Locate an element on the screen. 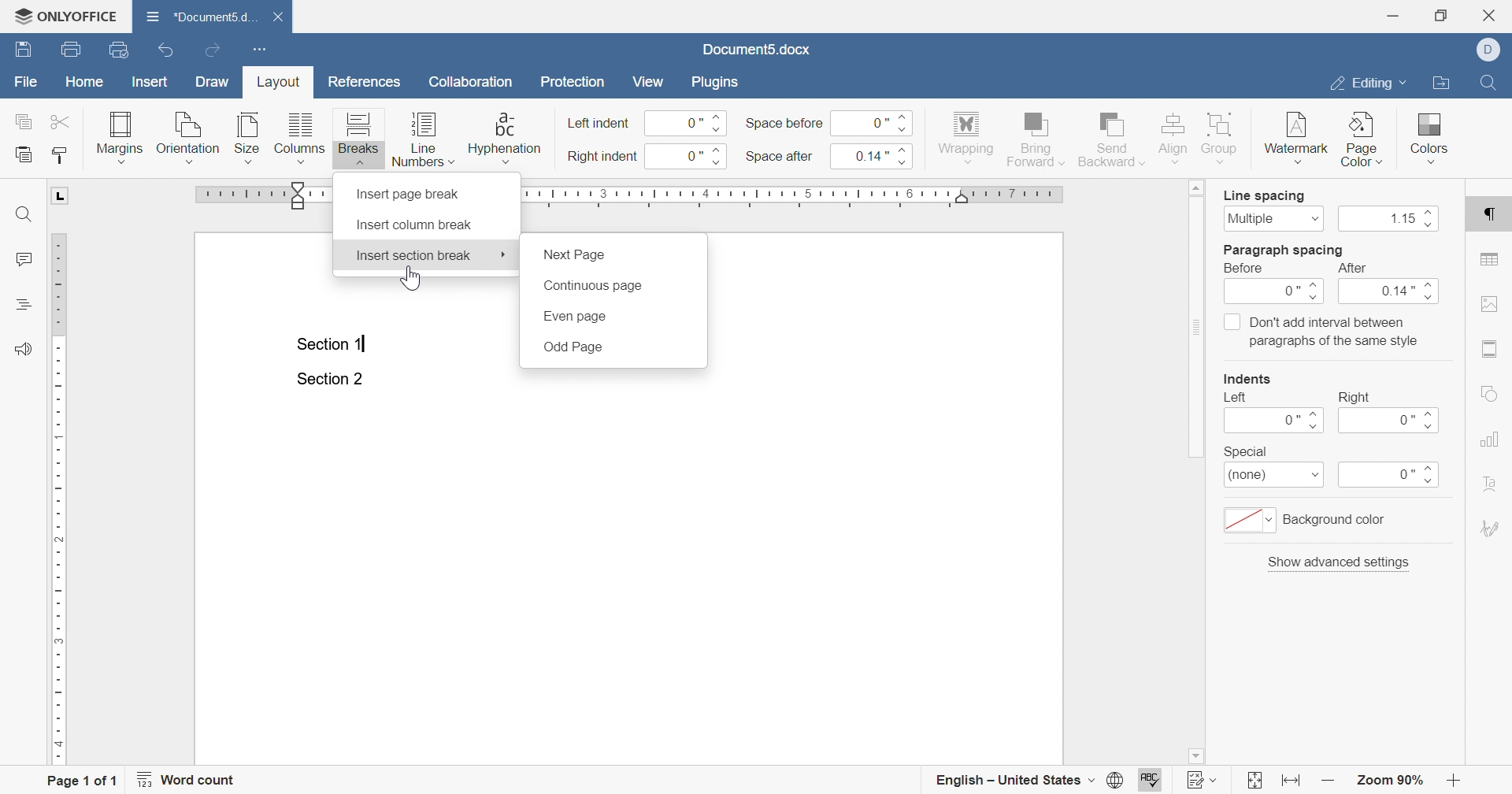 This screenshot has height=794, width=1512. Dell is located at coordinates (1491, 48).